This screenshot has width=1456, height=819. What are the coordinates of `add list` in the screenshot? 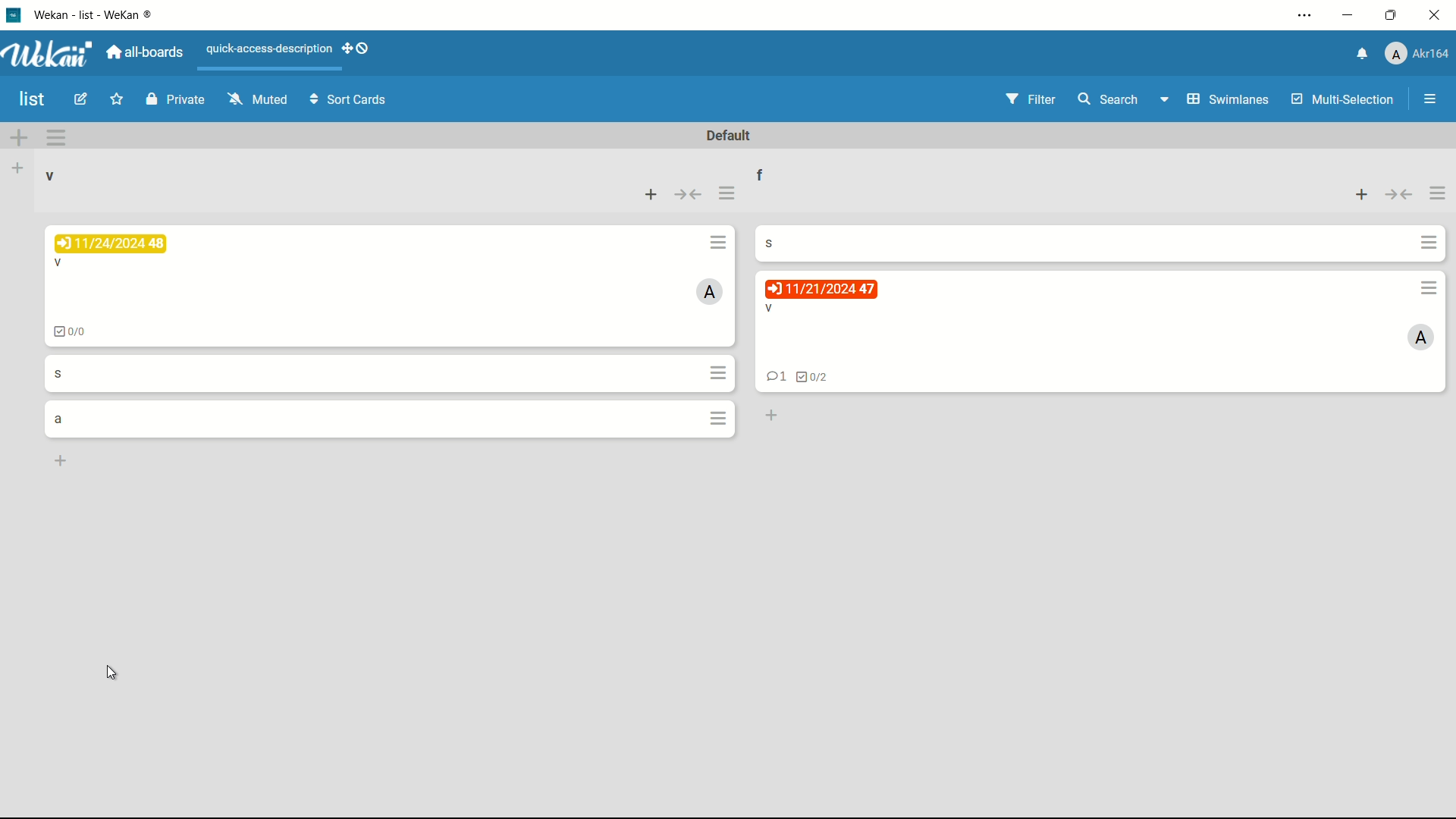 It's located at (20, 168).